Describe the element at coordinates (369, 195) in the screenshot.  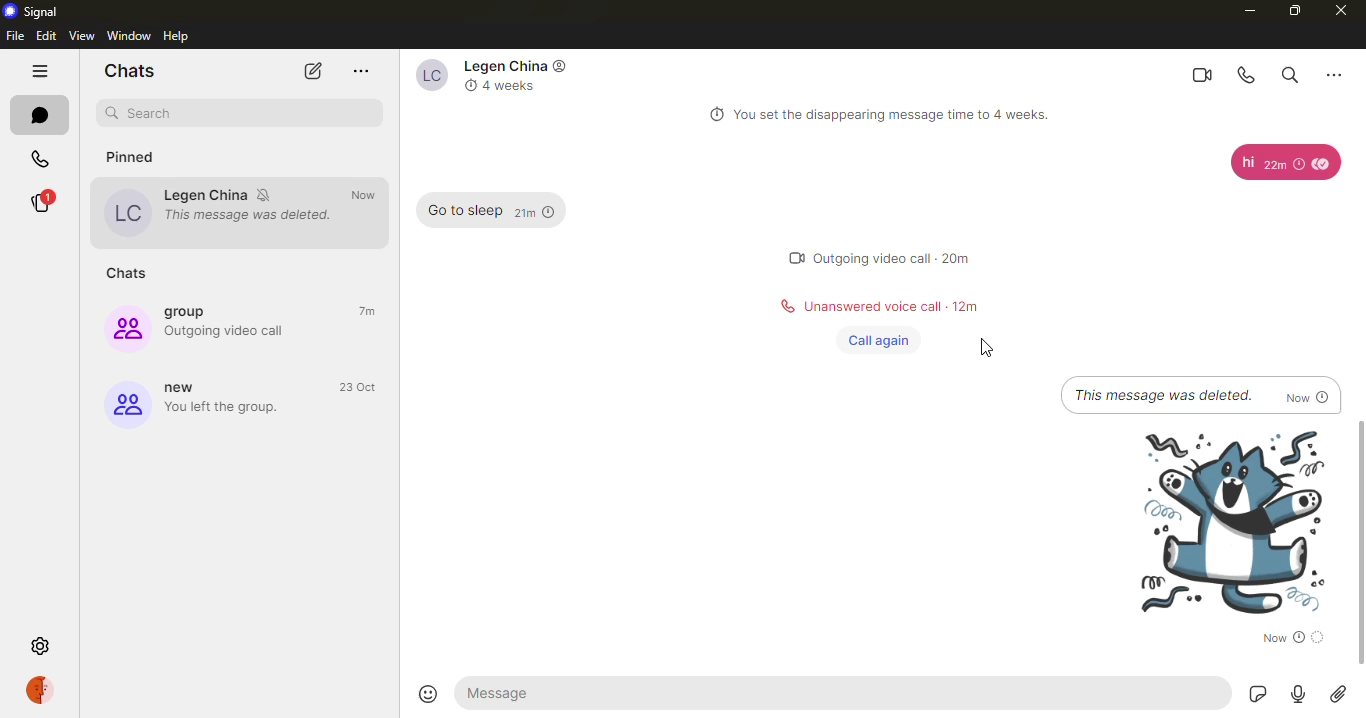
I see `now` at that location.